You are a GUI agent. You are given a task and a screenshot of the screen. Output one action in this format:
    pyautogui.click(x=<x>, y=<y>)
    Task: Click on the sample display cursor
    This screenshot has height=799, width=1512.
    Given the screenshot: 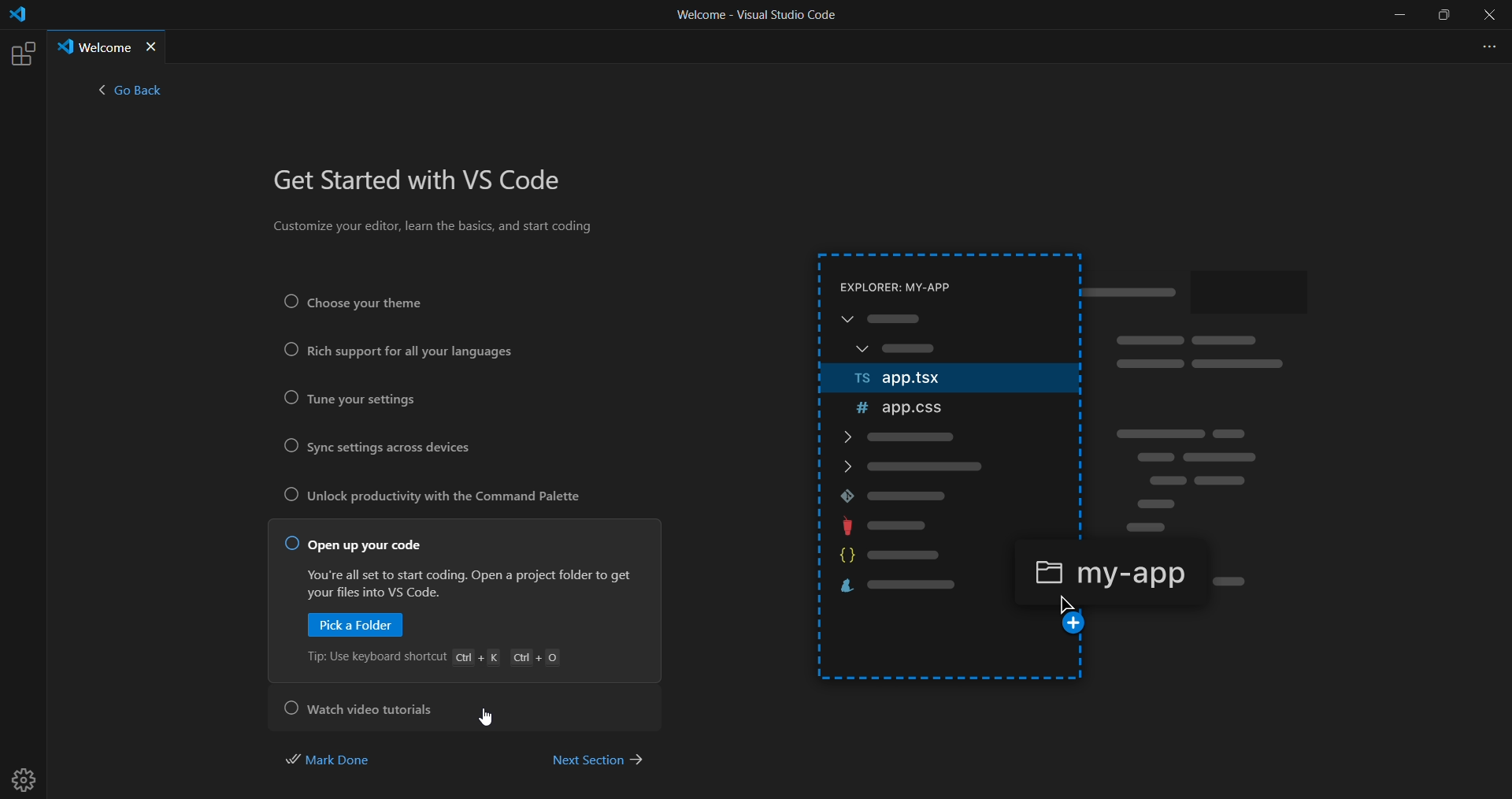 What is the action you would take?
    pyautogui.click(x=1074, y=617)
    